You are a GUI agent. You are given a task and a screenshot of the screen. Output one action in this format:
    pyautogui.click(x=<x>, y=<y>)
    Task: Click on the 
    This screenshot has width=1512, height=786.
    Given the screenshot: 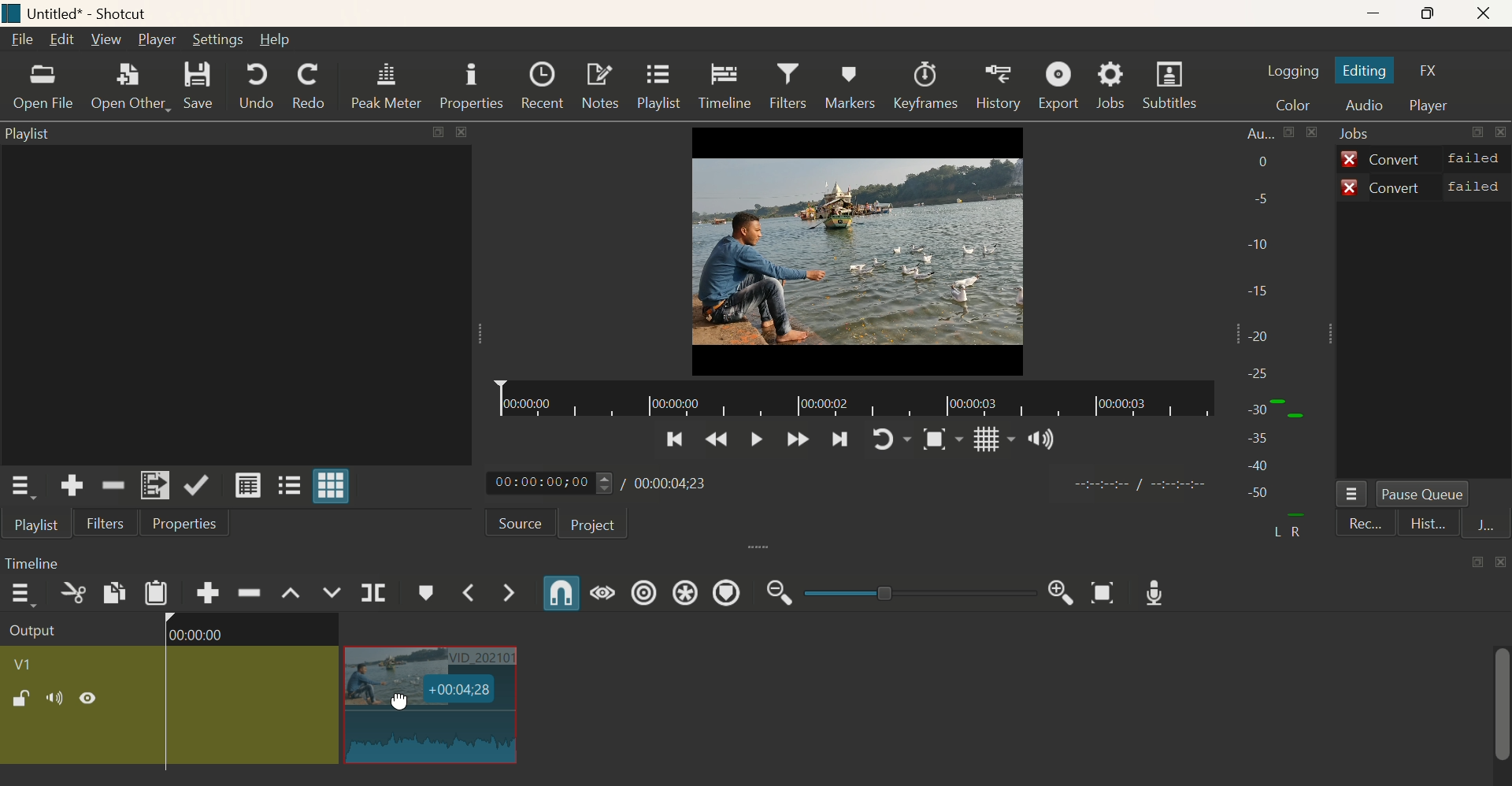 What is the action you would take?
    pyautogui.click(x=726, y=593)
    